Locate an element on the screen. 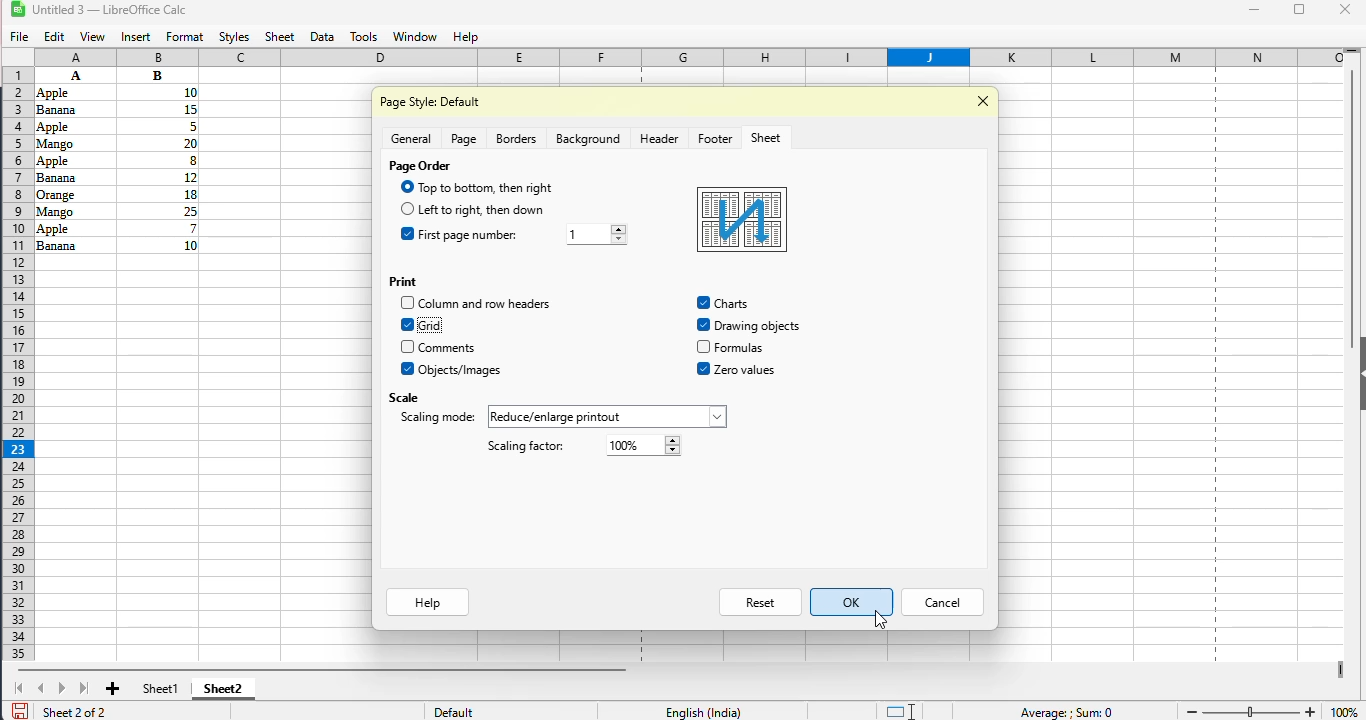 The image size is (1366, 720). background is located at coordinates (587, 139).